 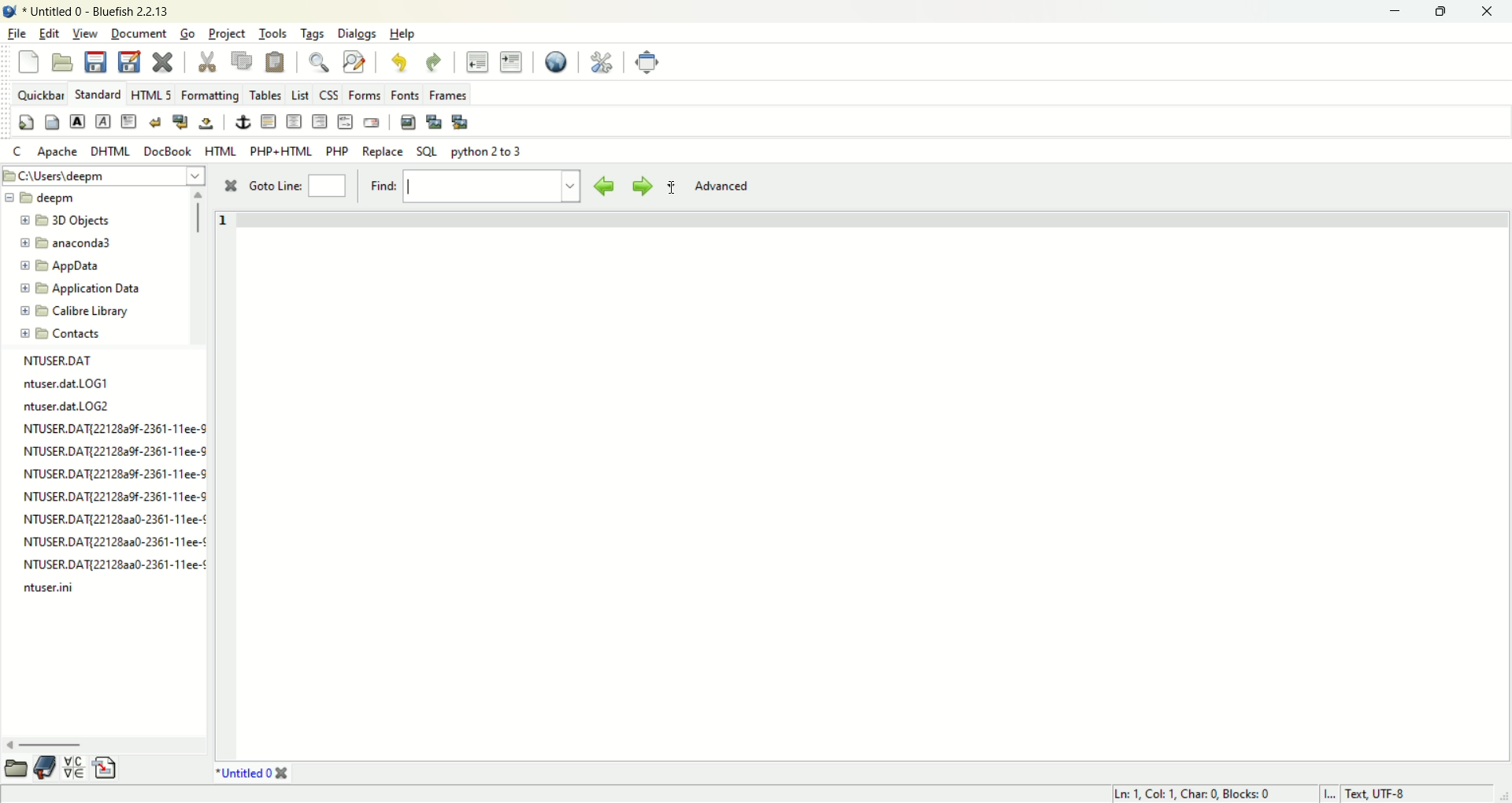 What do you see at coordinates (187, 34) in the screenshot?
I see `go` at bounding box center [187, 34].